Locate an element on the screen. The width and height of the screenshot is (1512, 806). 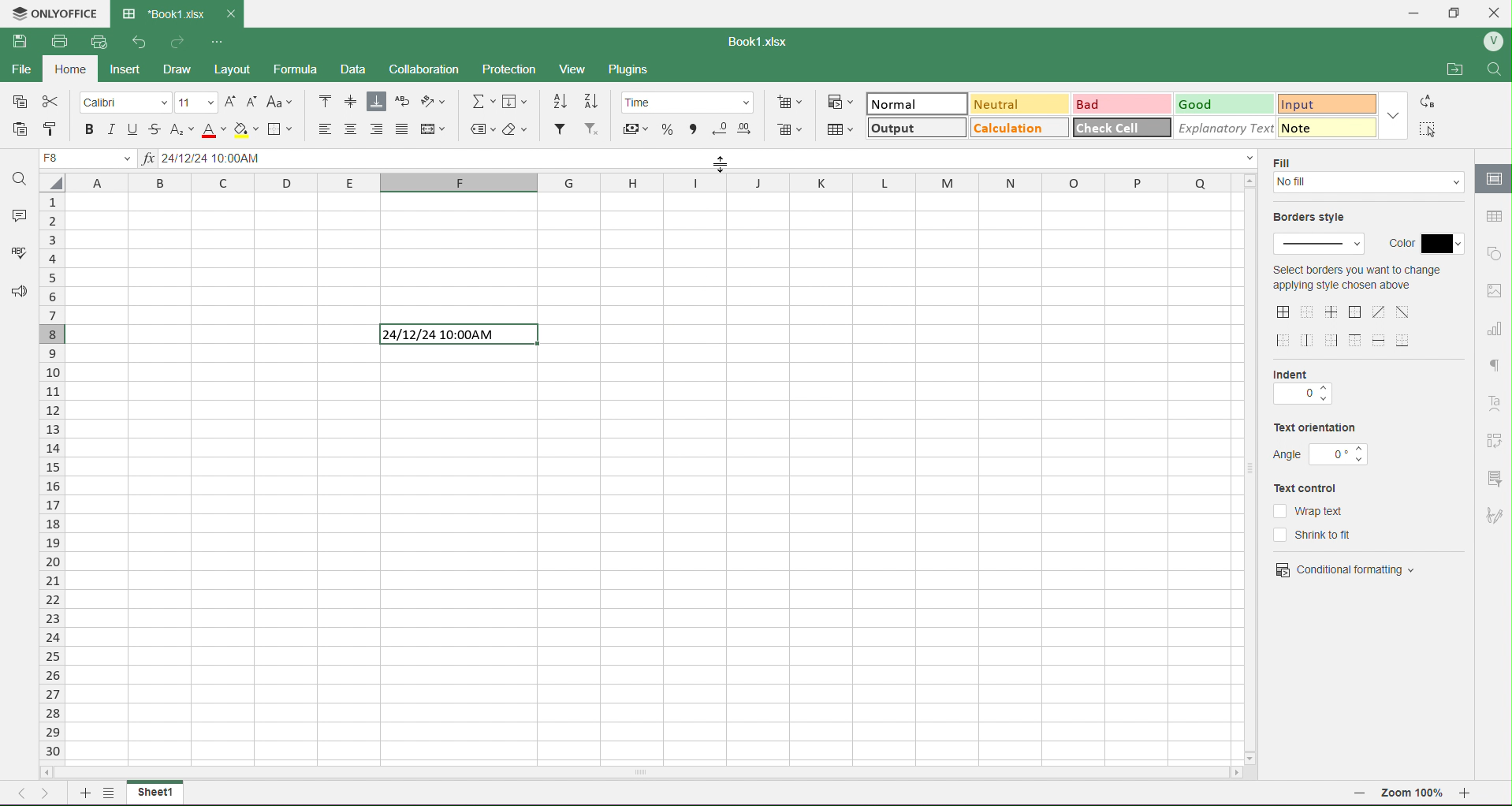
Decrease Decimal is located at coordinates (719, 128).